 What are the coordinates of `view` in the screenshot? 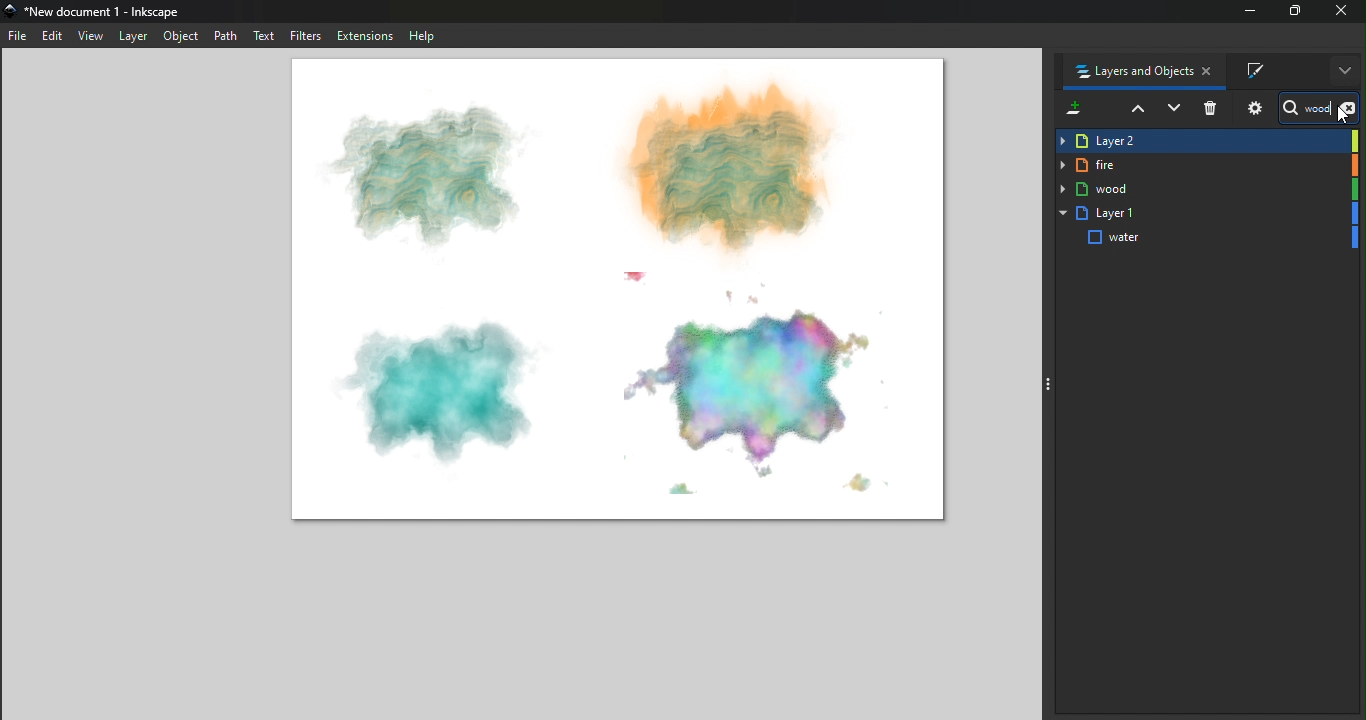 It's located at (91, 38).